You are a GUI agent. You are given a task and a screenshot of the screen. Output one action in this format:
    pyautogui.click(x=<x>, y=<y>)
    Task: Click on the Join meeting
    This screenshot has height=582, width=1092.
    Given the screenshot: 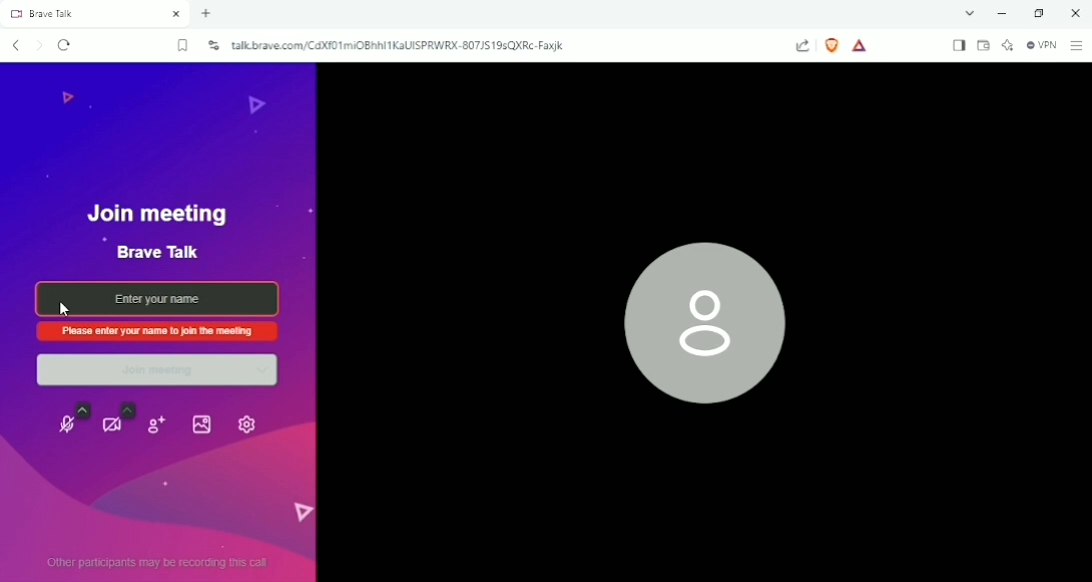 What is the action you would take?
    pyautogui.click(x=157, y=212)
    